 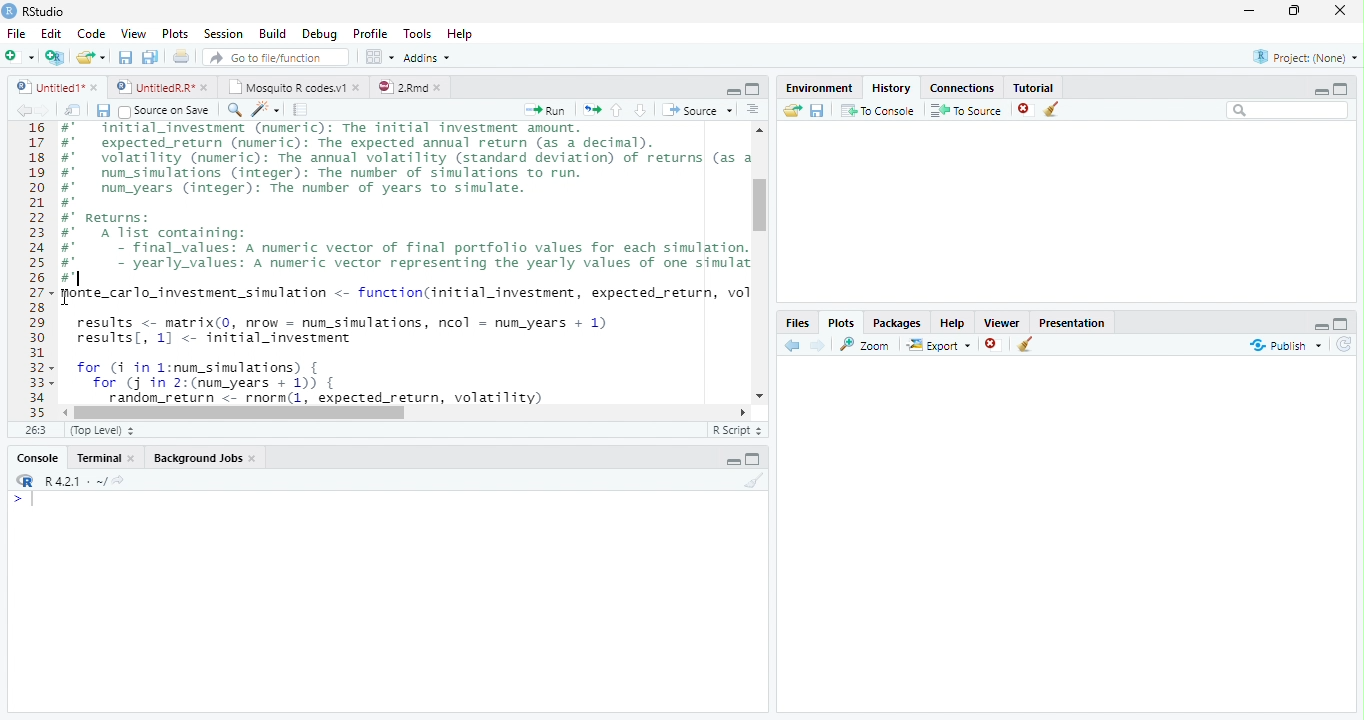 I want to click on Scroll Left, so click(x=64, y=412).